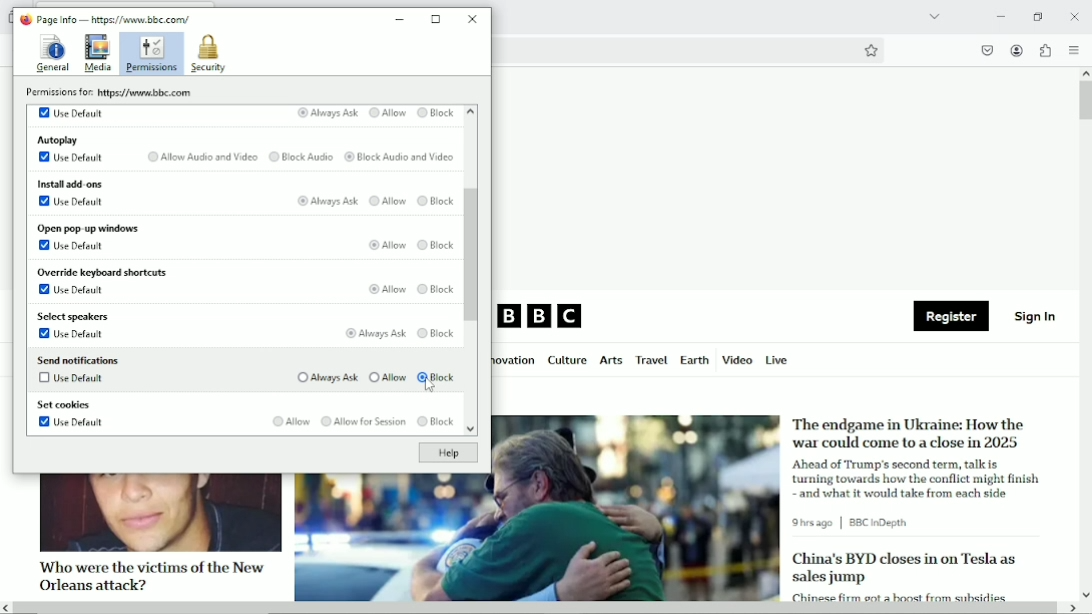 This screenshot has height=614, width=1092. I want to click on Allow for session, so click(362, 422).